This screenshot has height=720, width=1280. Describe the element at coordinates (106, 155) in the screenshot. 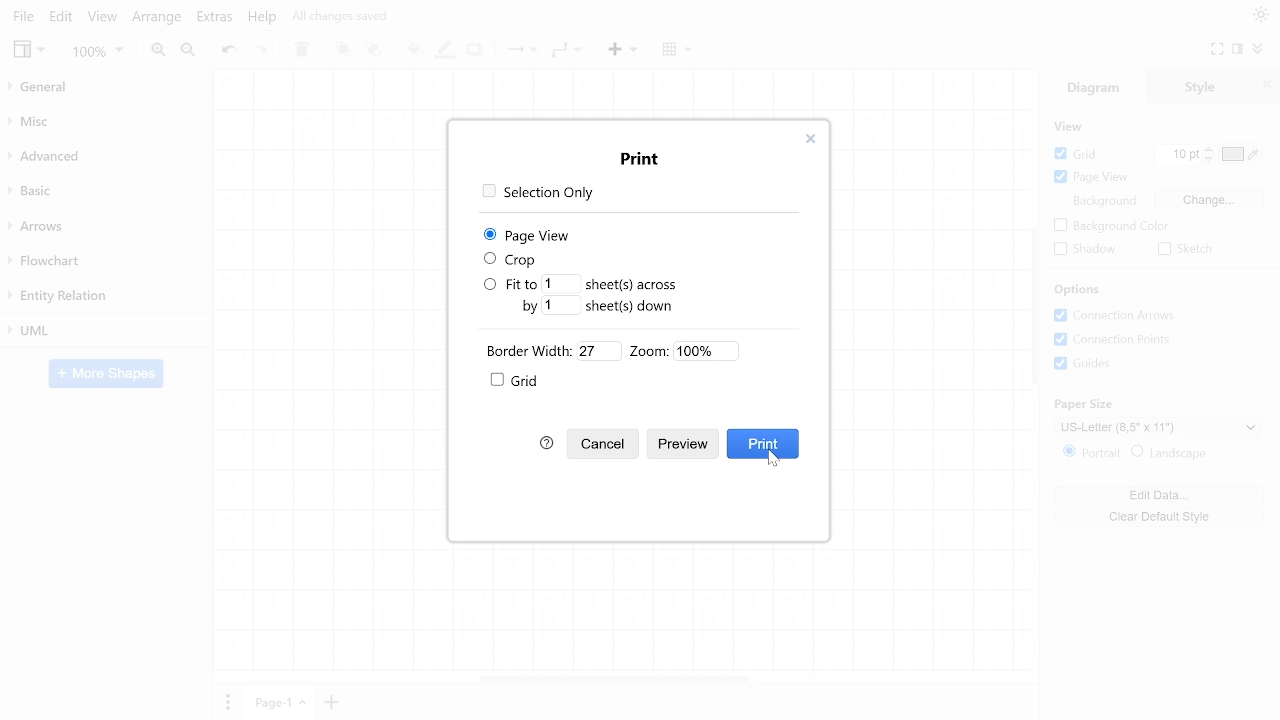

I see `Advanced` at that location.